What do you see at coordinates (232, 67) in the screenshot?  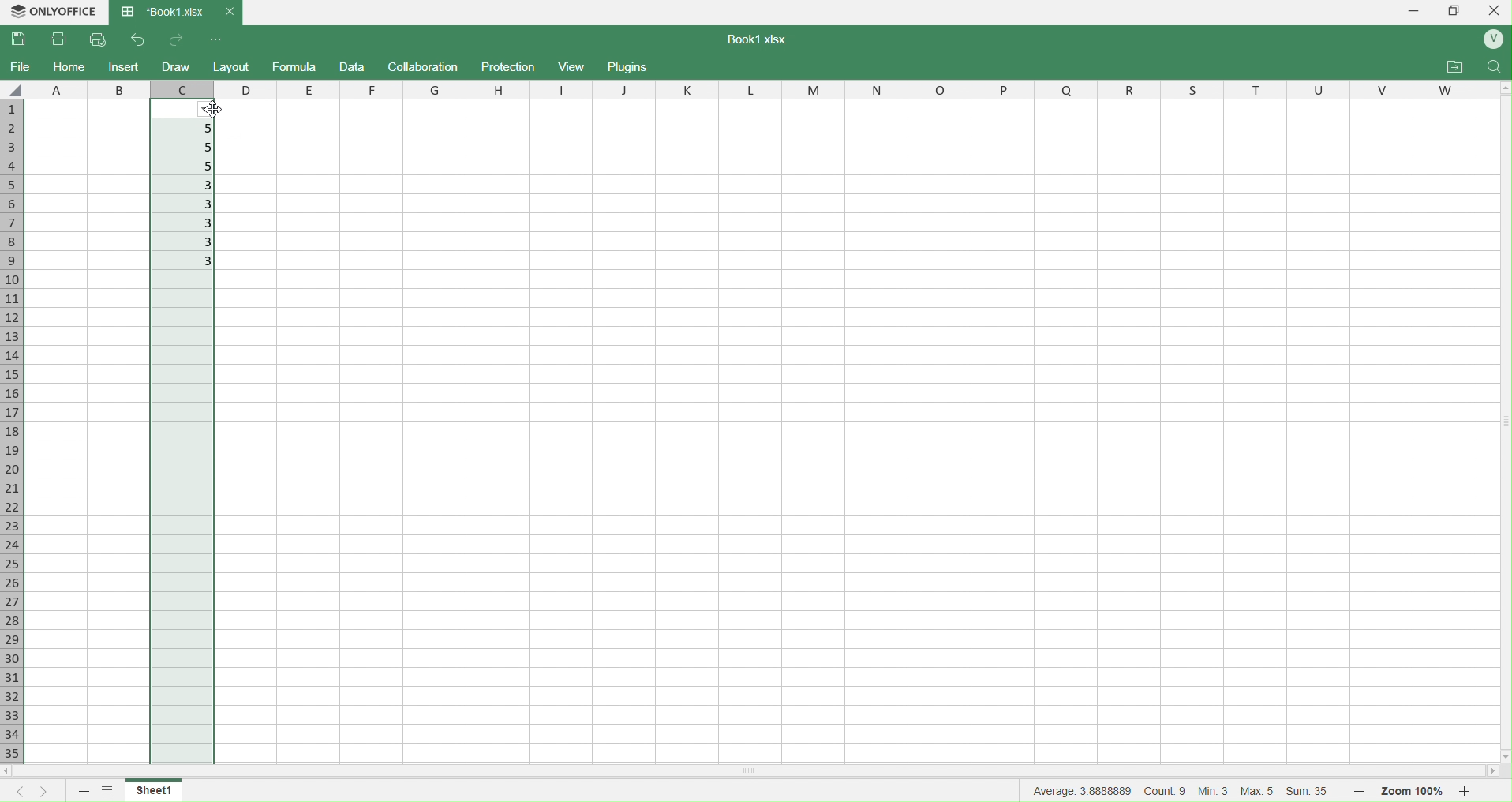 I see `Layout` at bounding box center [232, 67].